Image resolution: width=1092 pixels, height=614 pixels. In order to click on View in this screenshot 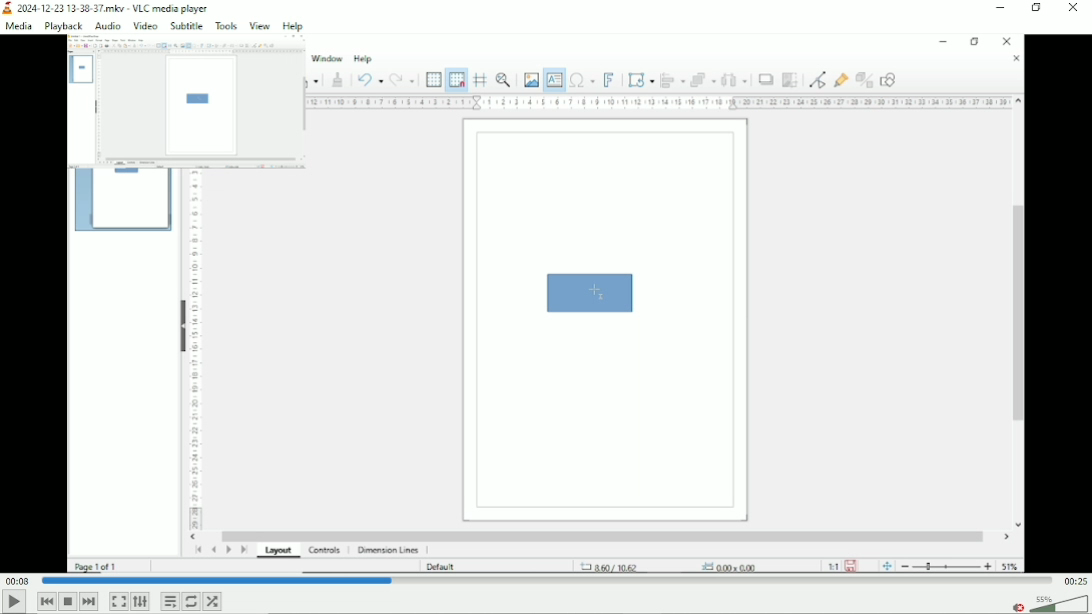, I will do `click(260, 26)`.